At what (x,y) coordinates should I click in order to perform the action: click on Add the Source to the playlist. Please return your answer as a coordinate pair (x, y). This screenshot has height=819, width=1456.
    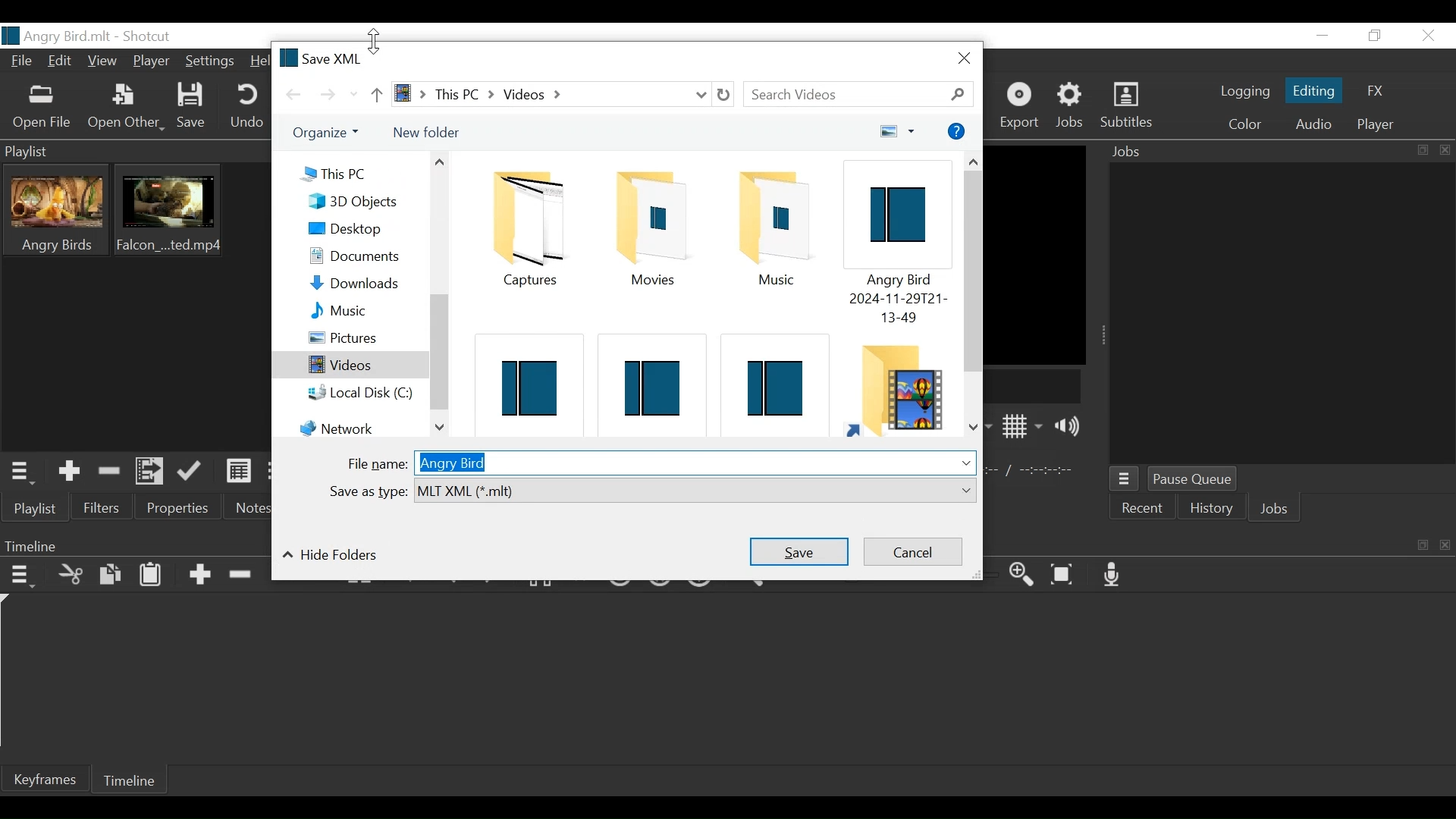
    Looking at the image, I should click on (70, 472).